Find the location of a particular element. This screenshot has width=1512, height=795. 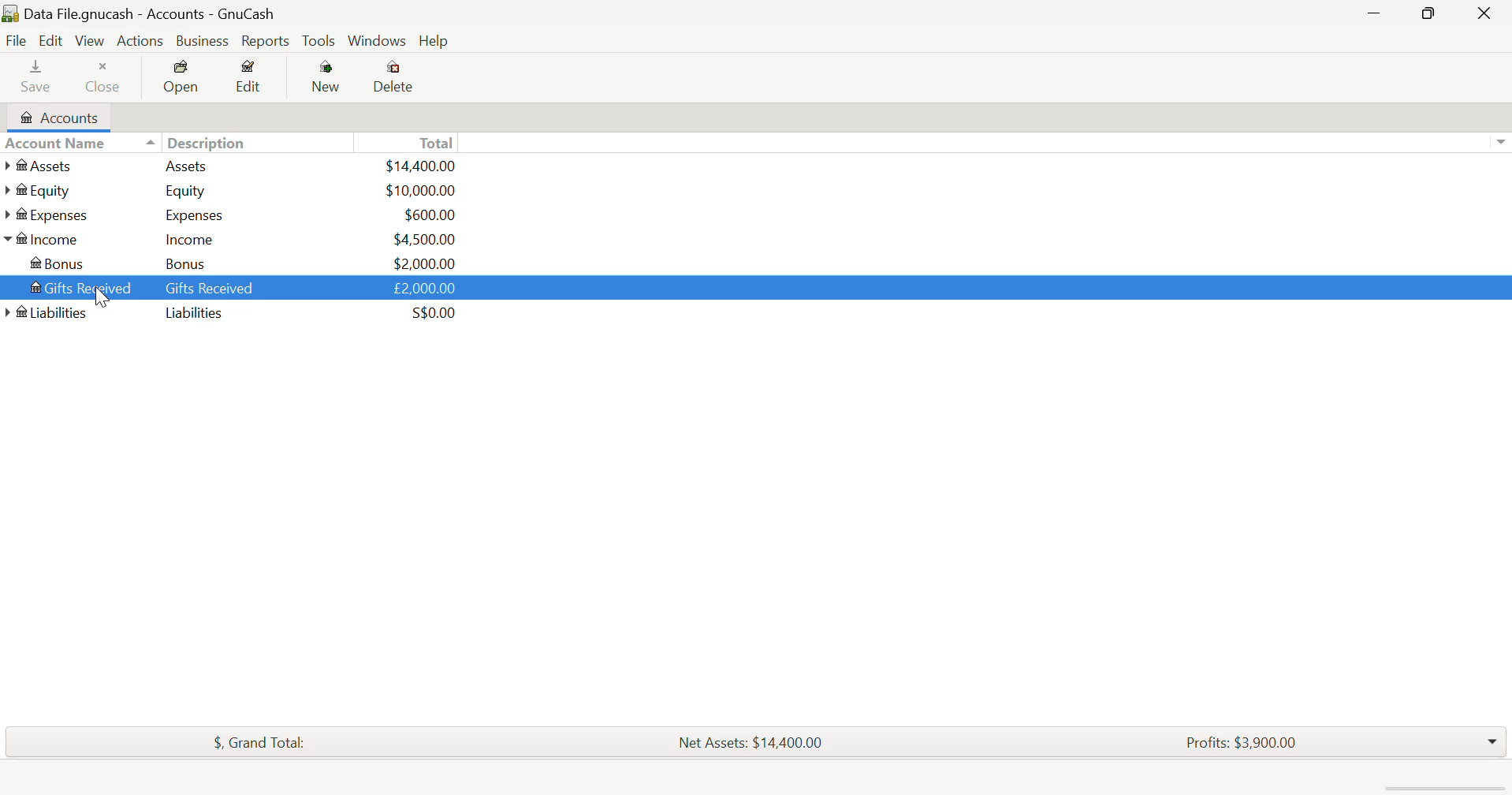

Expenses is located at coordinates (189, 214).